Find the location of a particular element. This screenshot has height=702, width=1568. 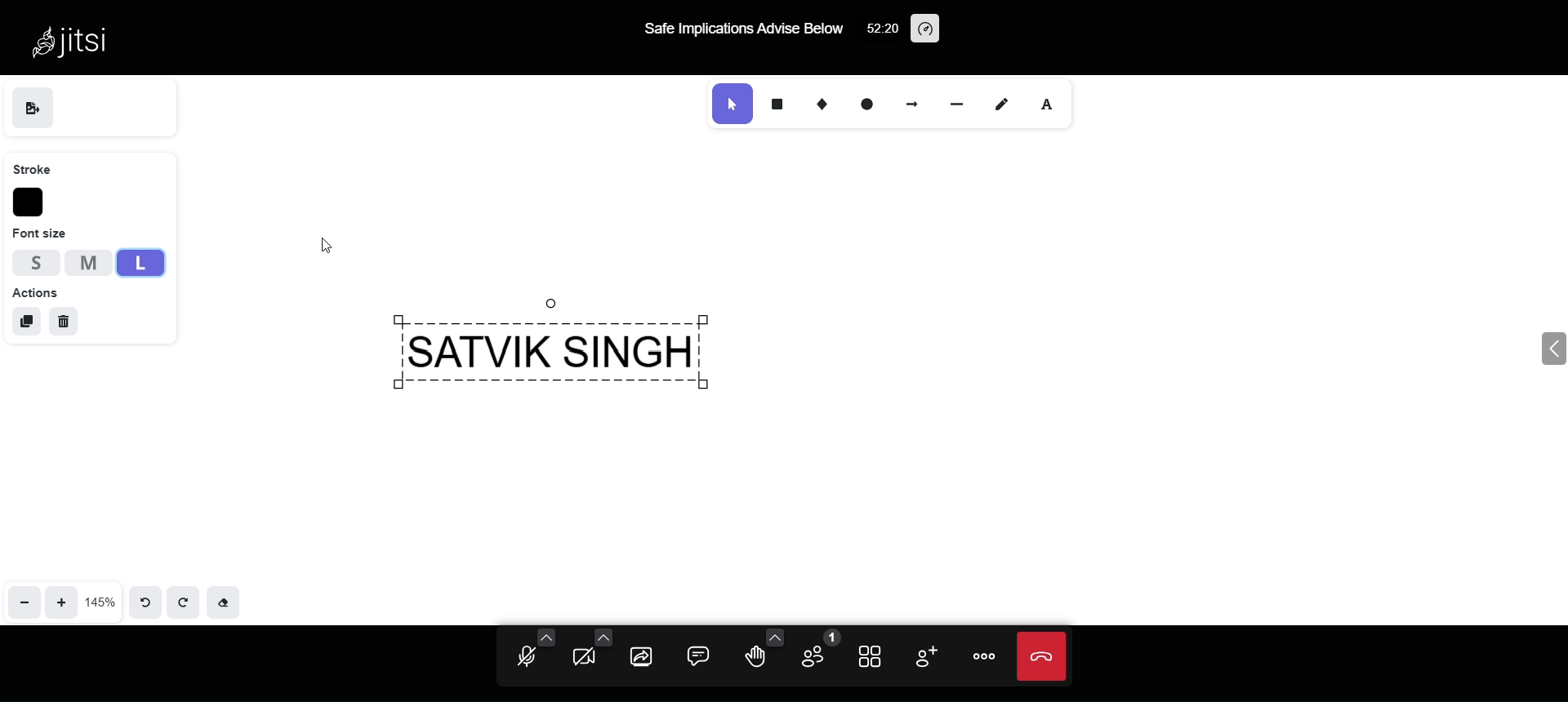

start camera is located at coordinates (588, 653).